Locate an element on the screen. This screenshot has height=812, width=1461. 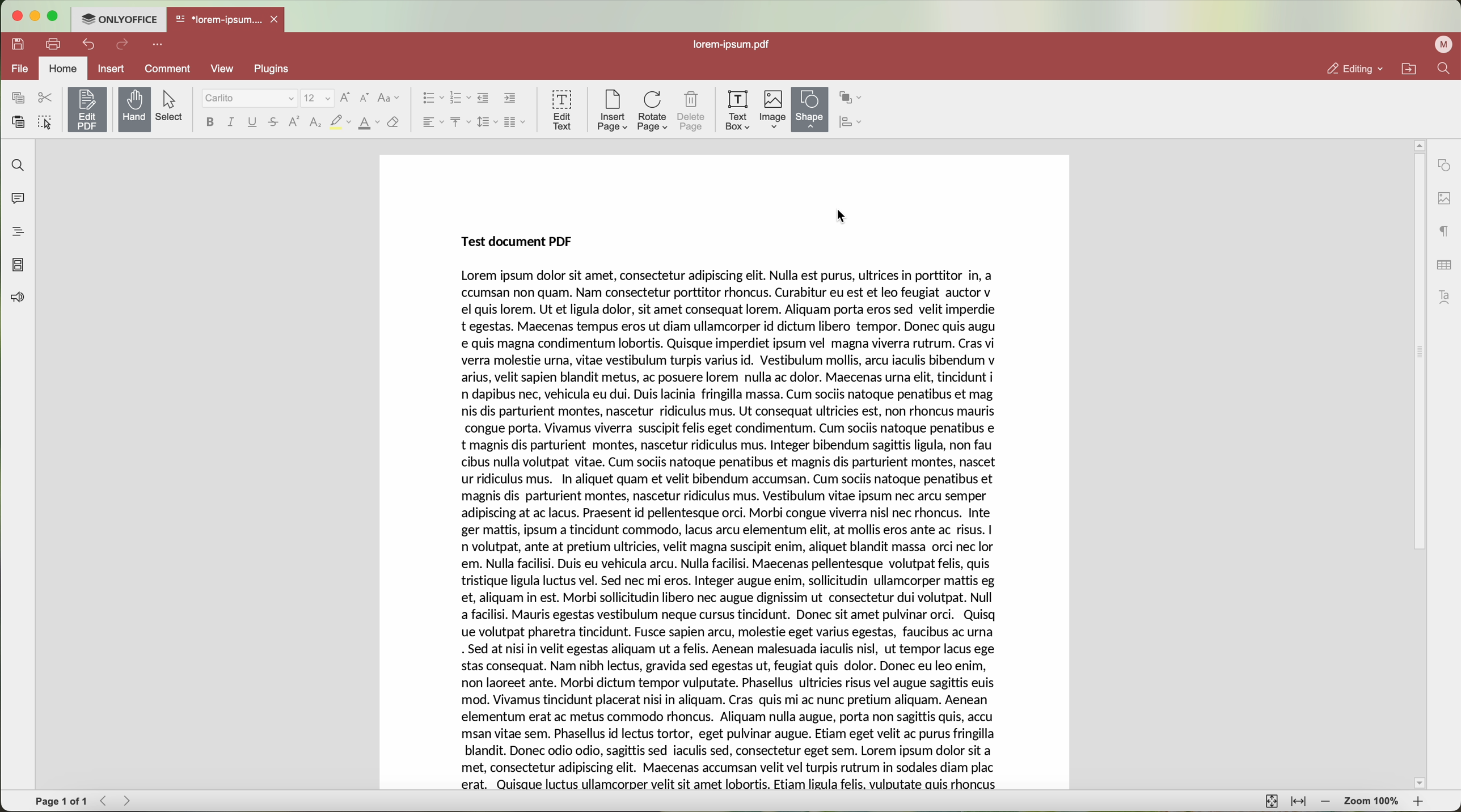
headings is located at coordinates (17, 232).